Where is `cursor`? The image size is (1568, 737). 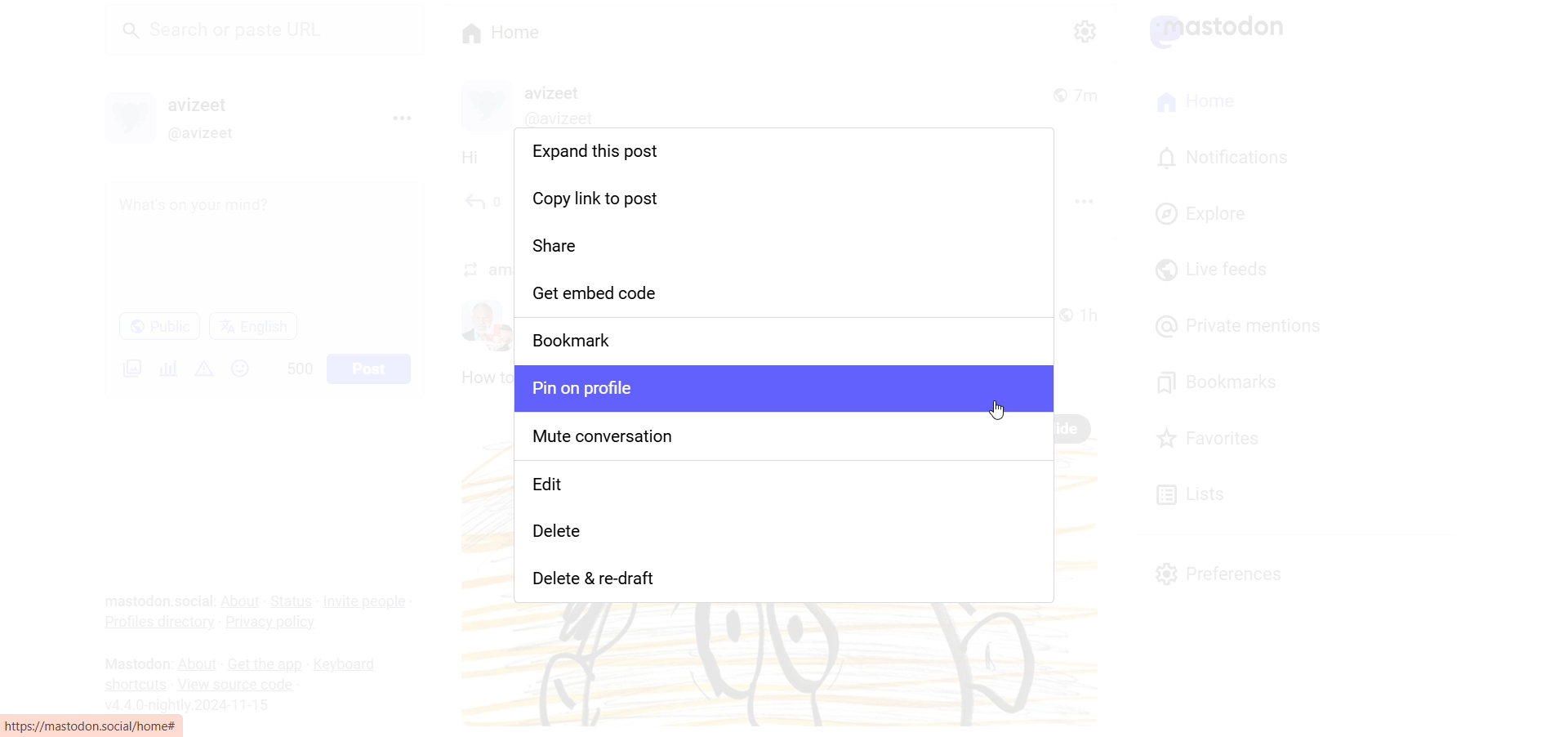
cursor is located at coordinates (1002, 413).